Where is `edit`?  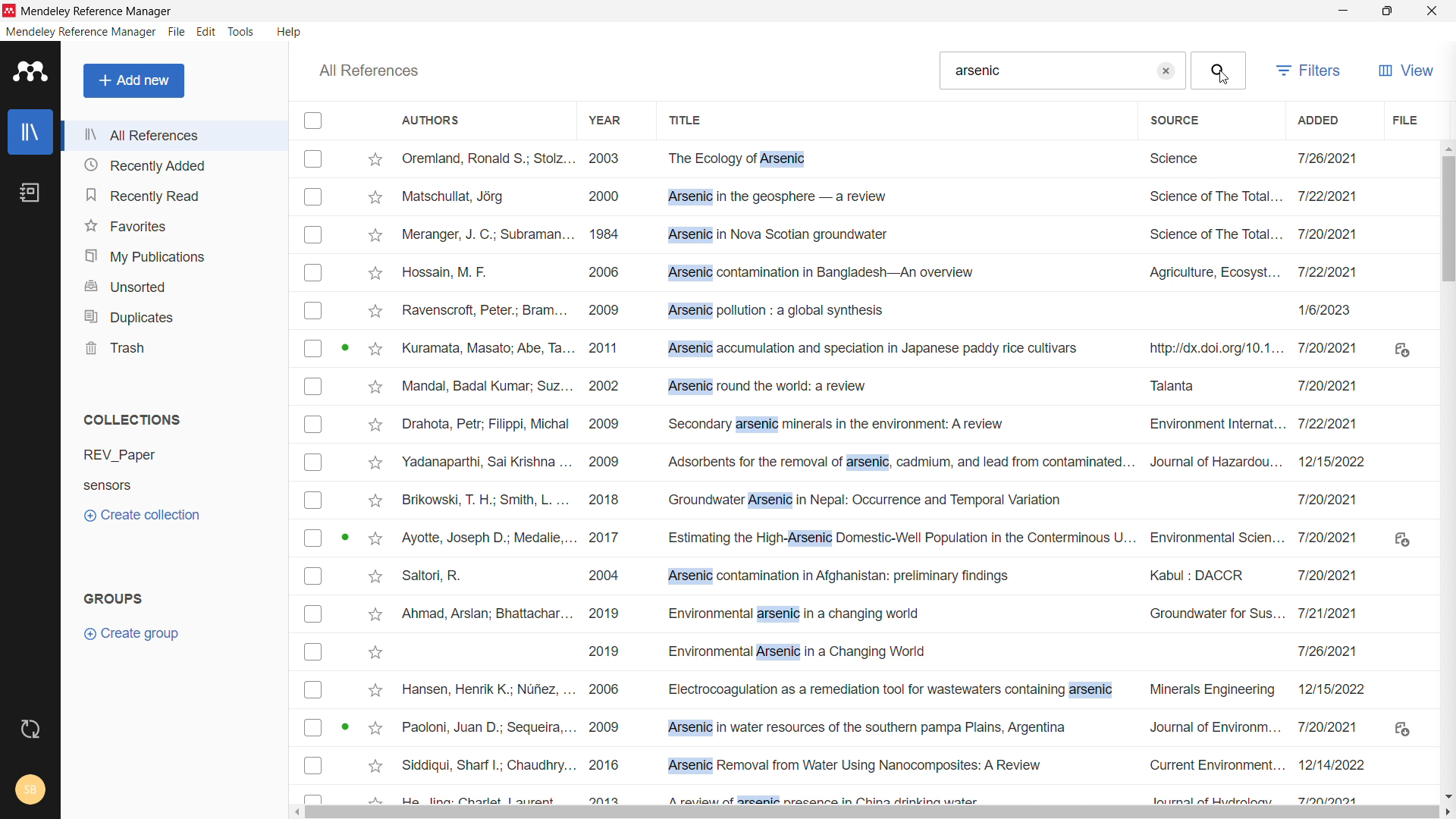 edit is located at coordinates (207, 31).